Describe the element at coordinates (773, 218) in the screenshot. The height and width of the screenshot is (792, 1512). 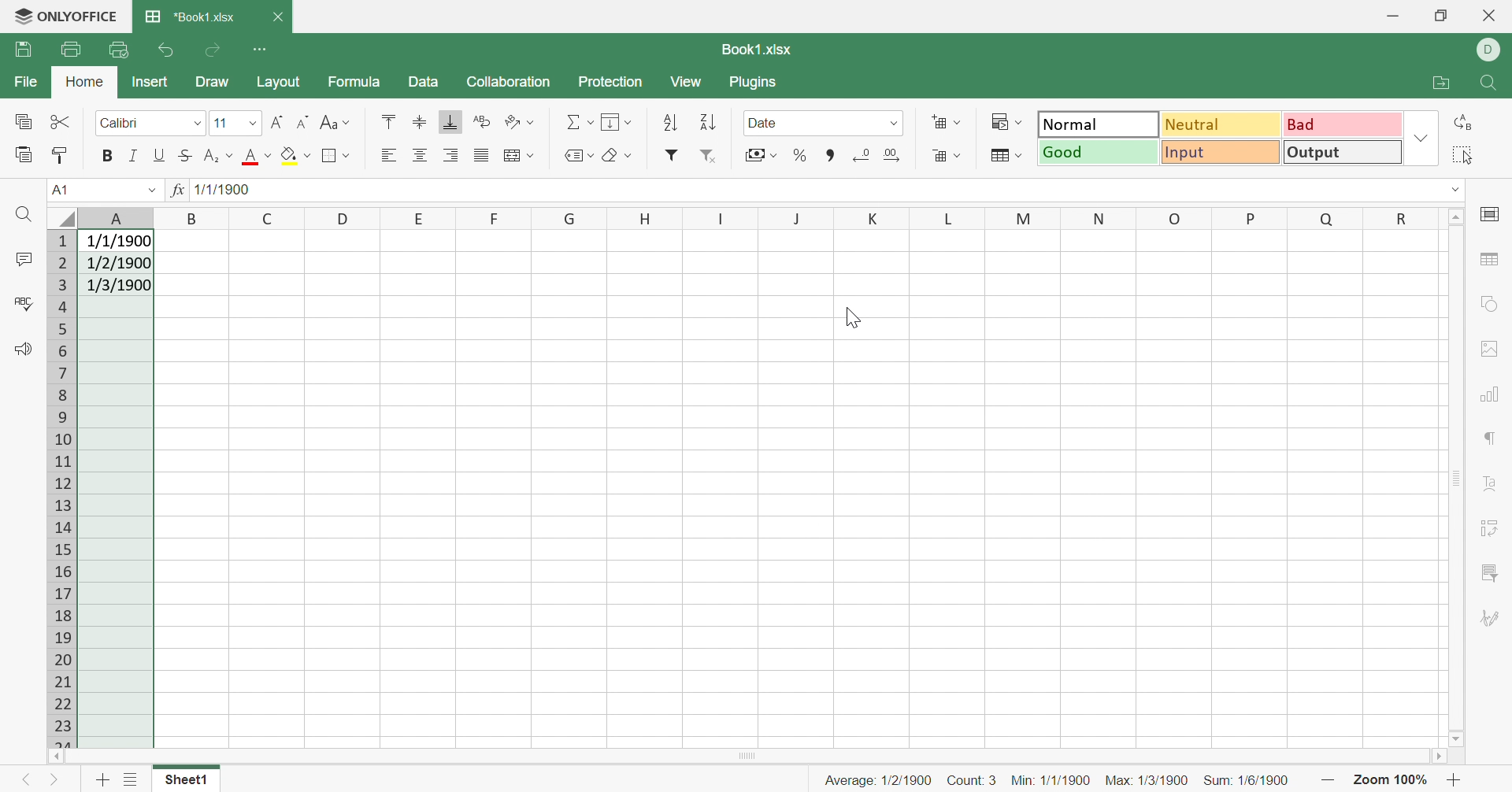
I see `Column names` at that location.